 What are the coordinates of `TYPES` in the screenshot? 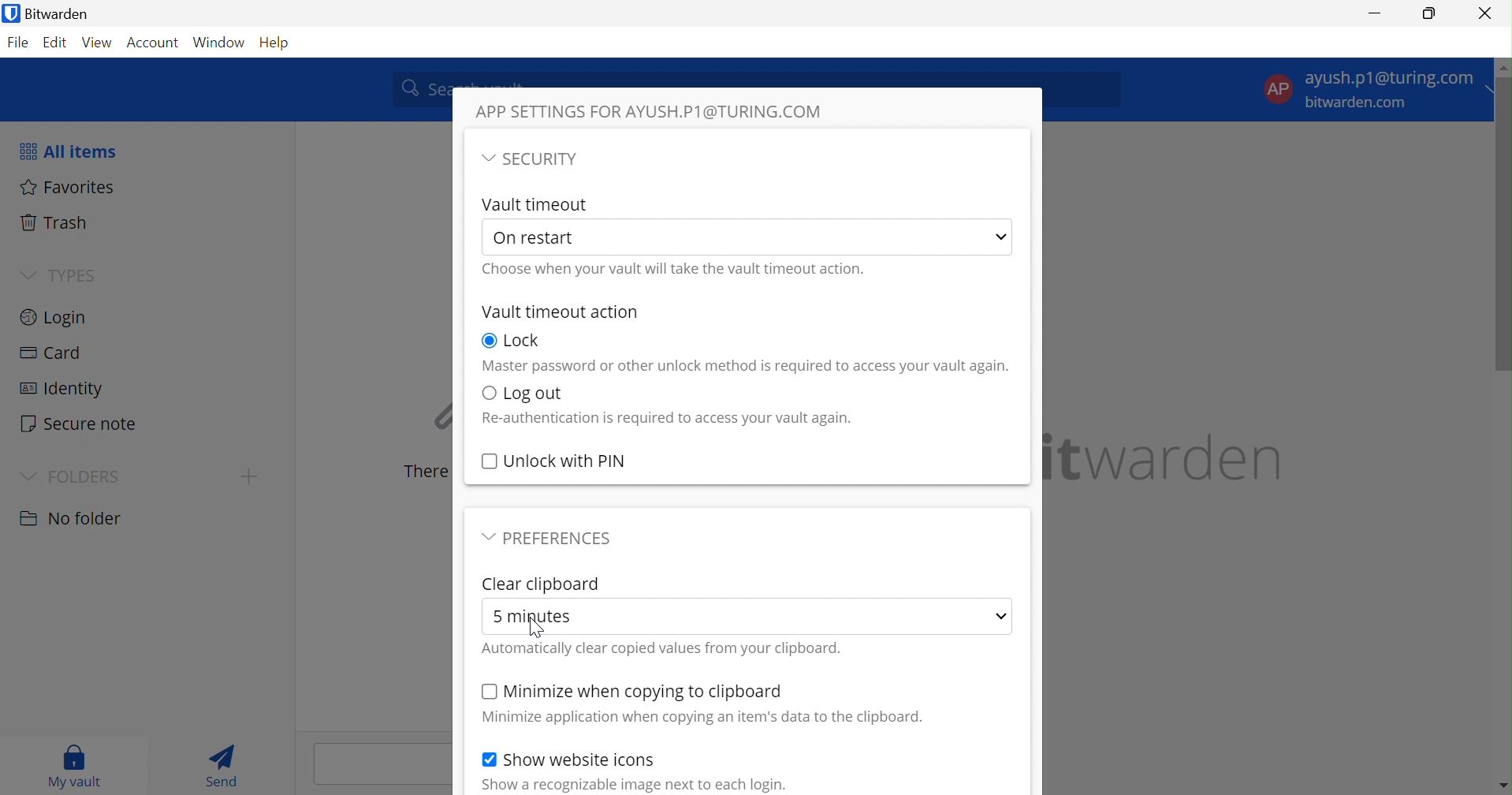 It's located at (79, 274).